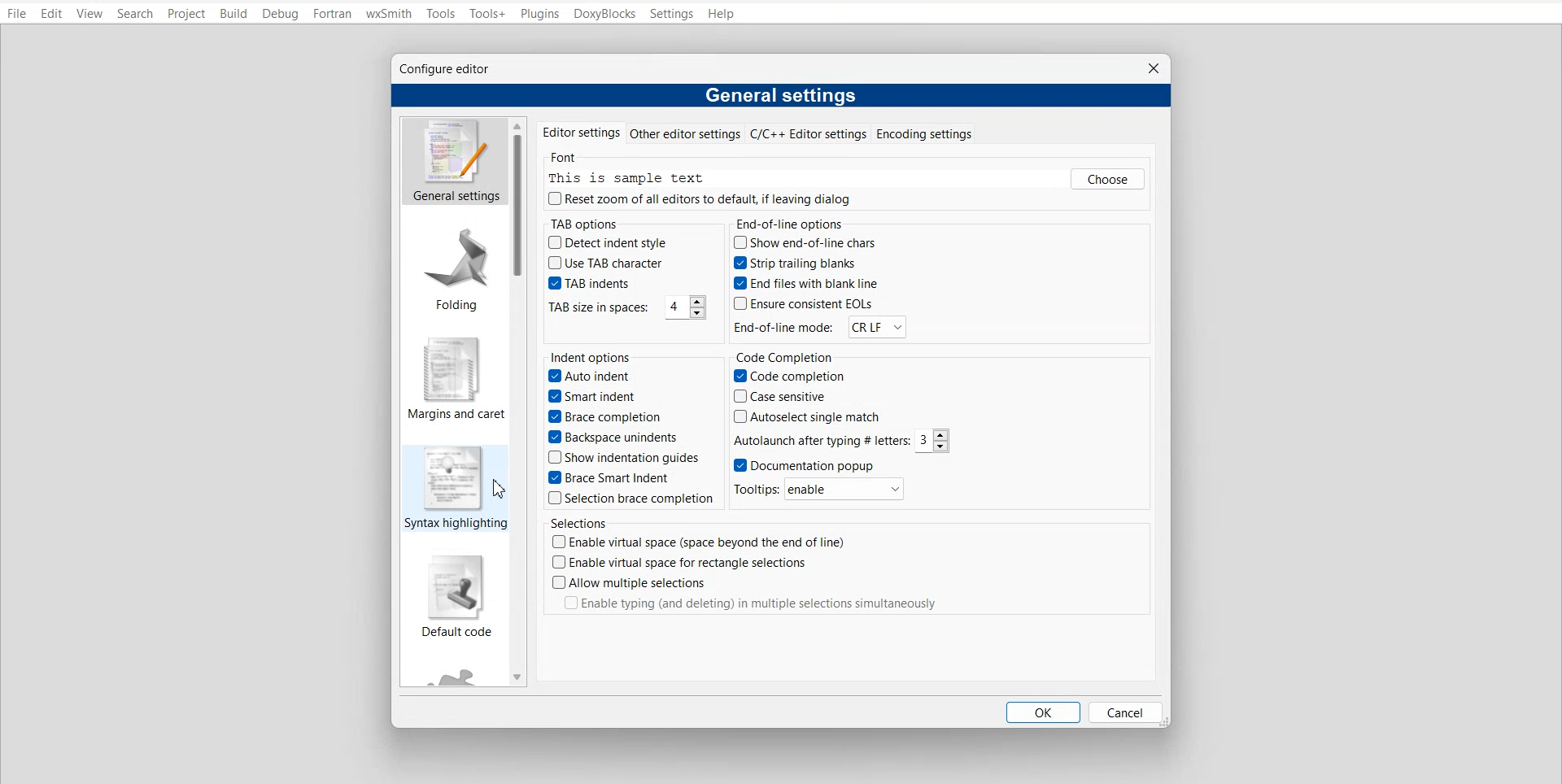  What do you see at coordinates (808, 243) in the screenshot?
I see `show end-of-line chars` at bounding box center [808, 243].